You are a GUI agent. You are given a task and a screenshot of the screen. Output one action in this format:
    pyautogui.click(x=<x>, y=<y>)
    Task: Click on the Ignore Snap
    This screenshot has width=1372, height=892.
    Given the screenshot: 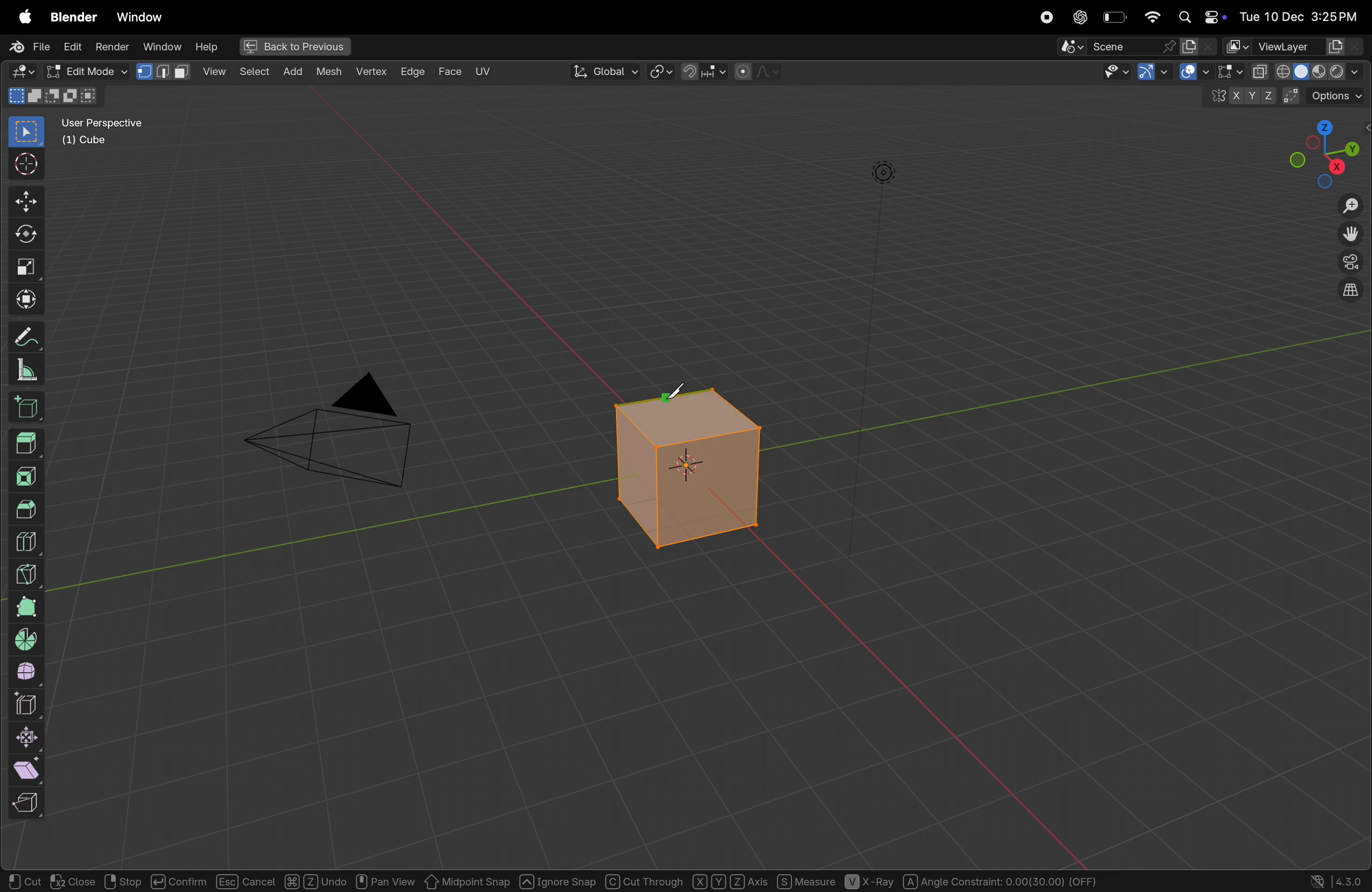 What is the action you would take?
    pyautogui.click(x=557, y=880)
    